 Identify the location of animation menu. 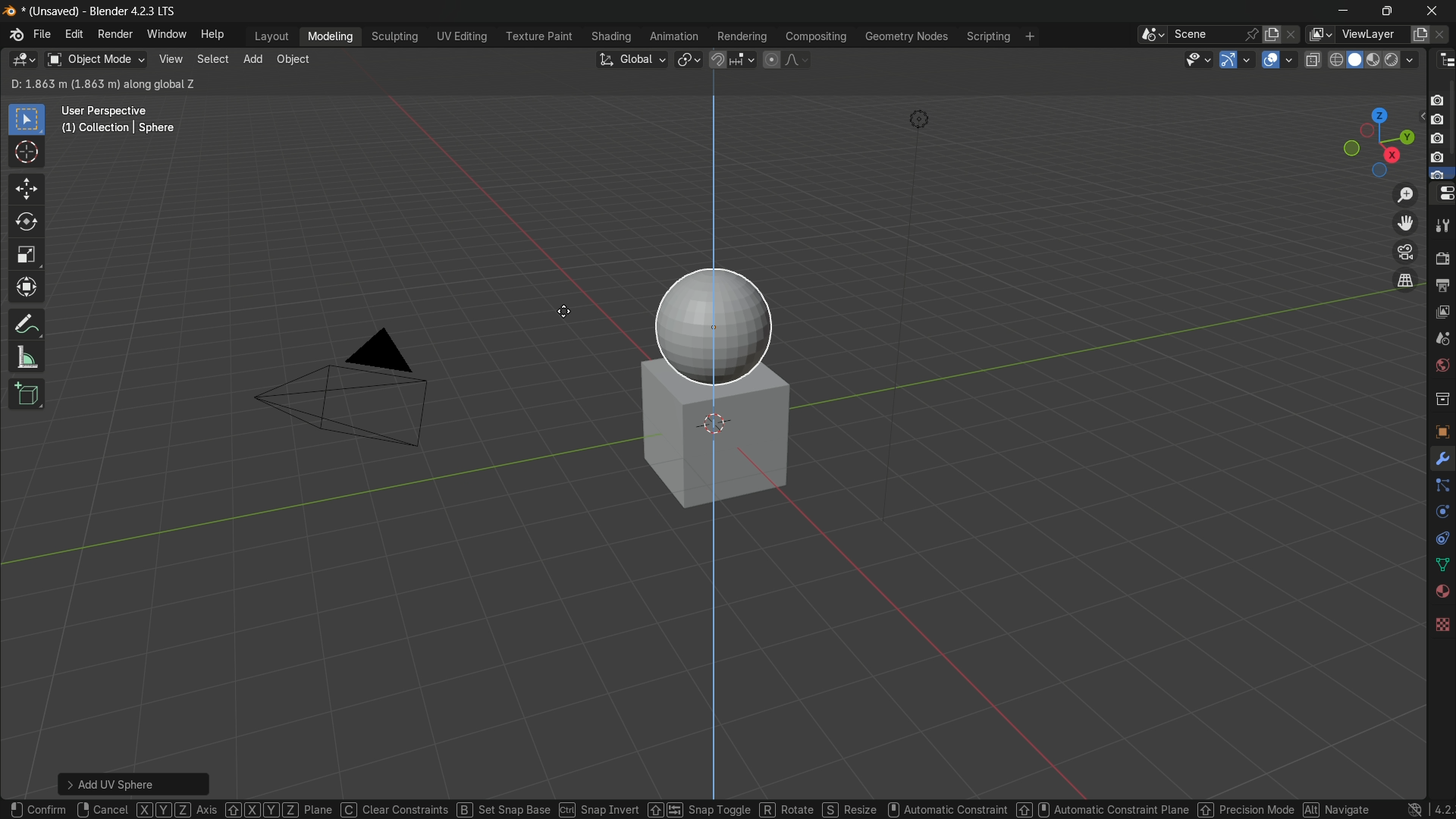
(676, 36).